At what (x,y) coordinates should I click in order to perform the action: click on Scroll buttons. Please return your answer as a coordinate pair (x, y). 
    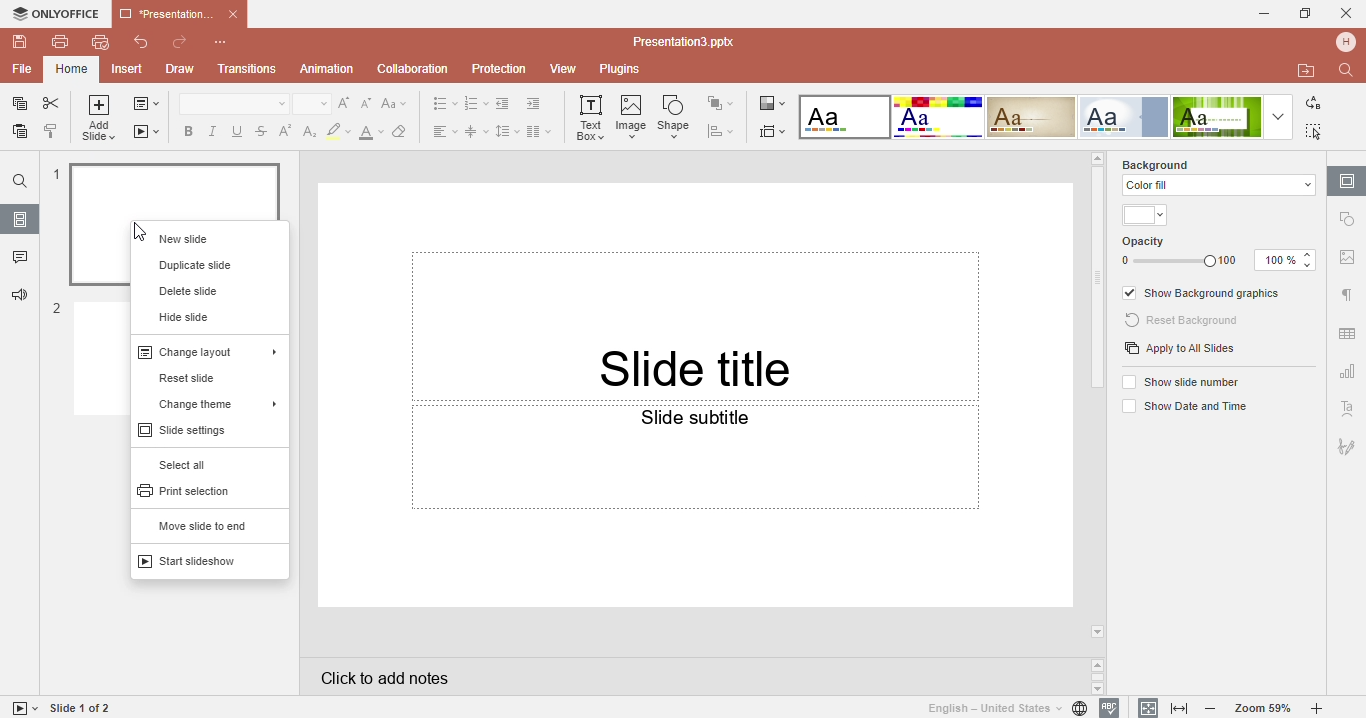
    Looking at the image, I should click on (1099, 676).